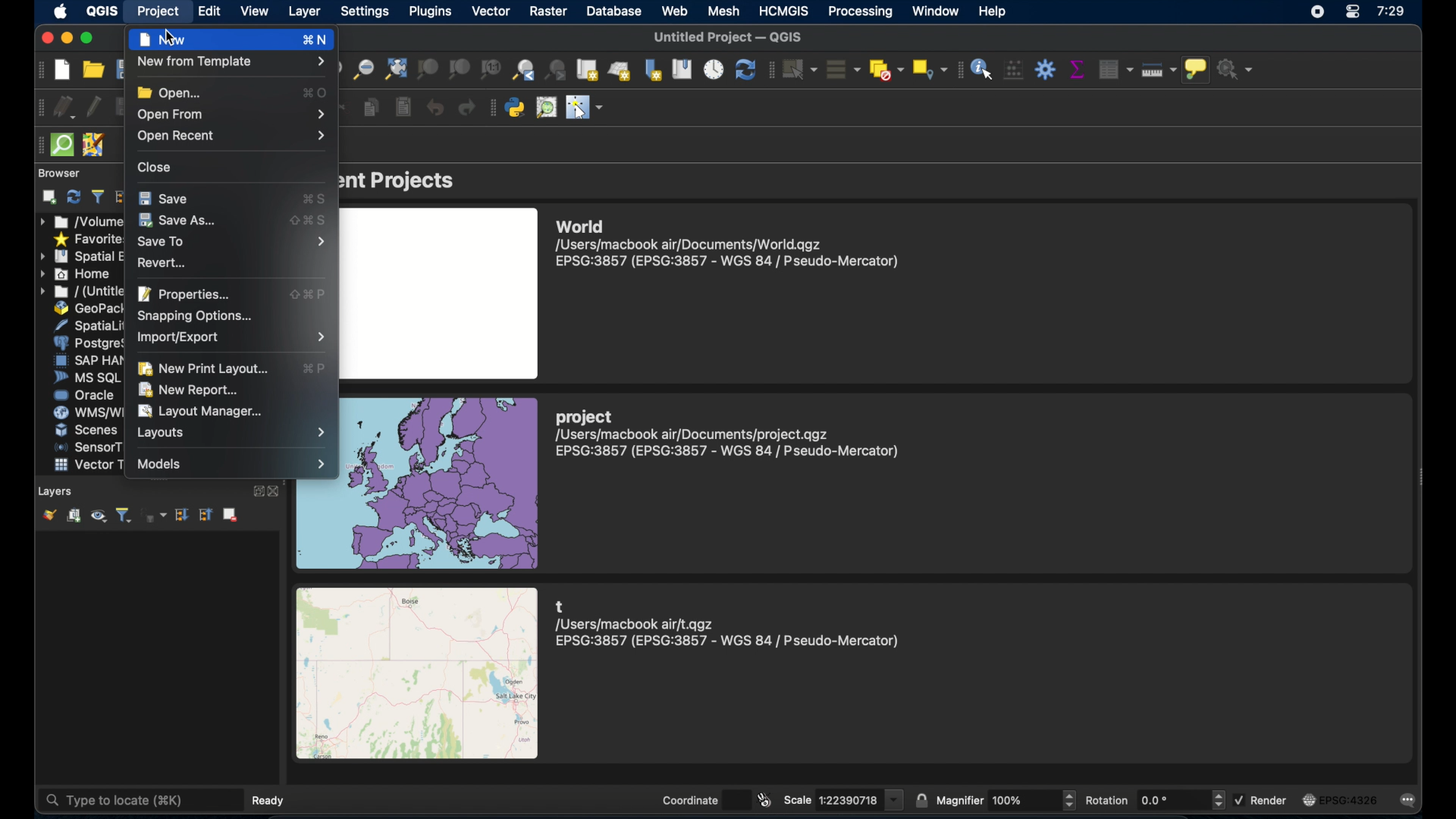 The image size is (1456, 819). Describe the element at coordinates (714, 70) in the screenshot. I see `temporal controller panel` at that location.